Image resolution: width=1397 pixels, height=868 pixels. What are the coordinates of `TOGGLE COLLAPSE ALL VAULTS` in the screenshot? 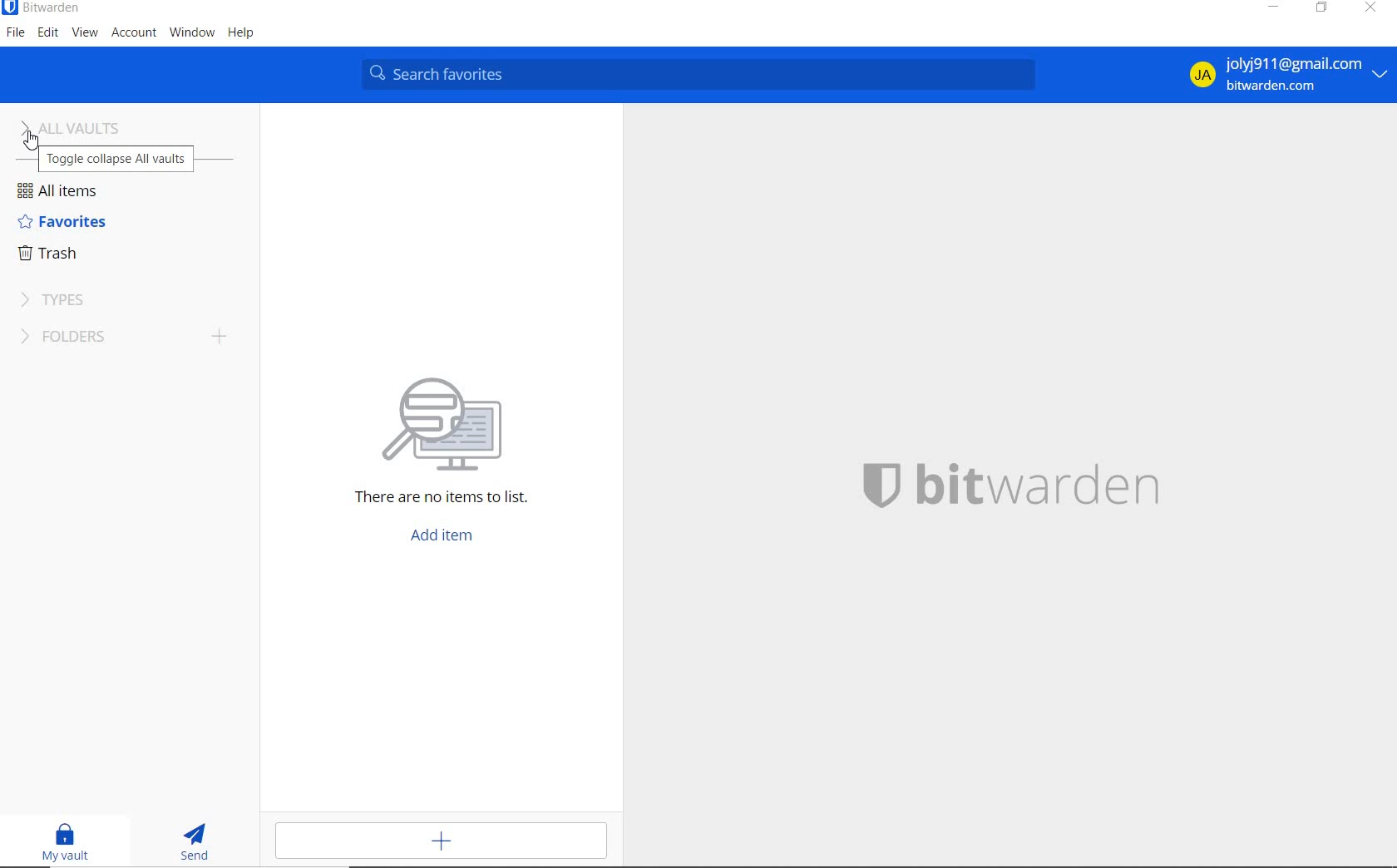 It's located at (117, 159).